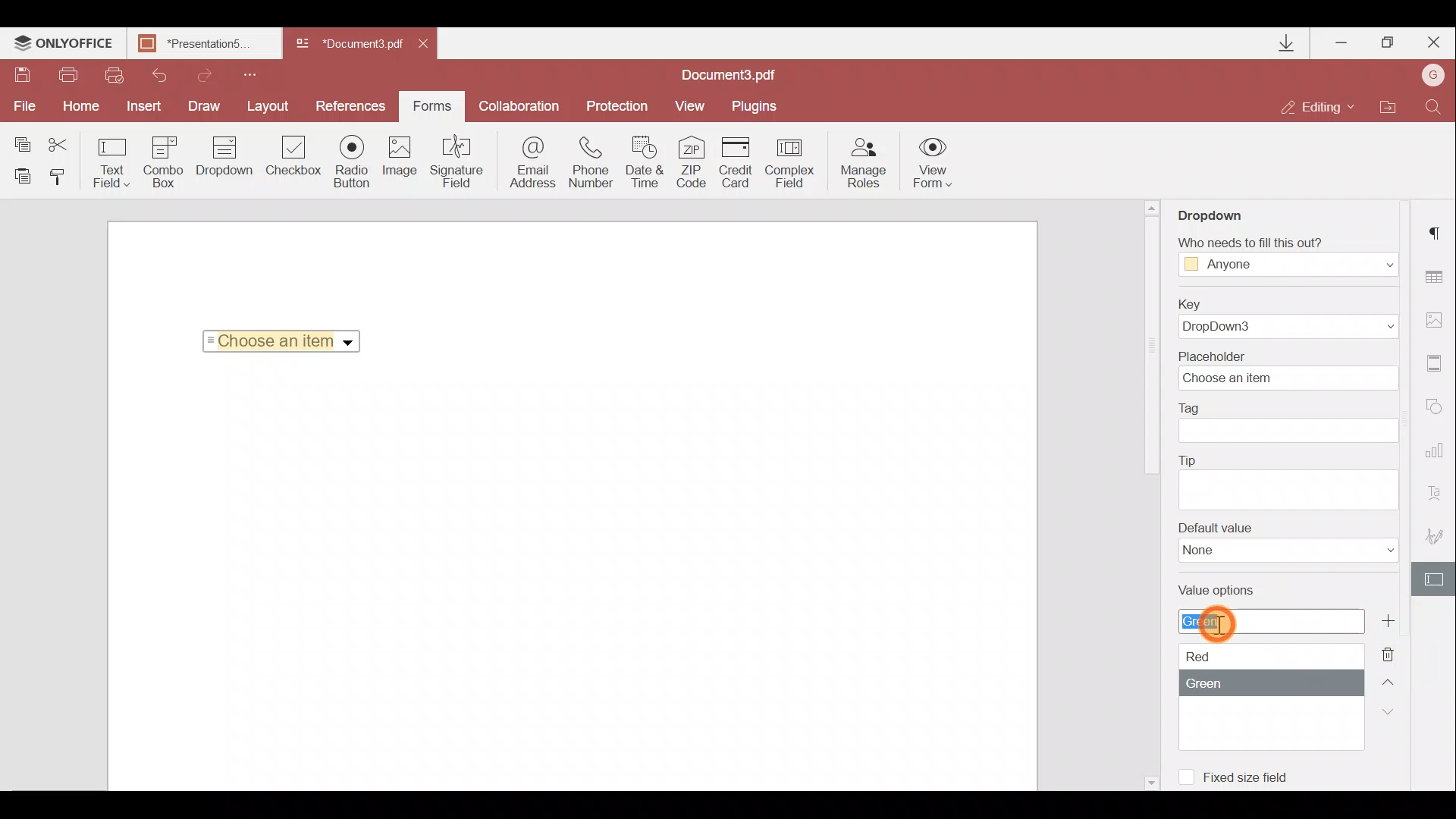  I want to click on Dropdown, so click(1216, 214).